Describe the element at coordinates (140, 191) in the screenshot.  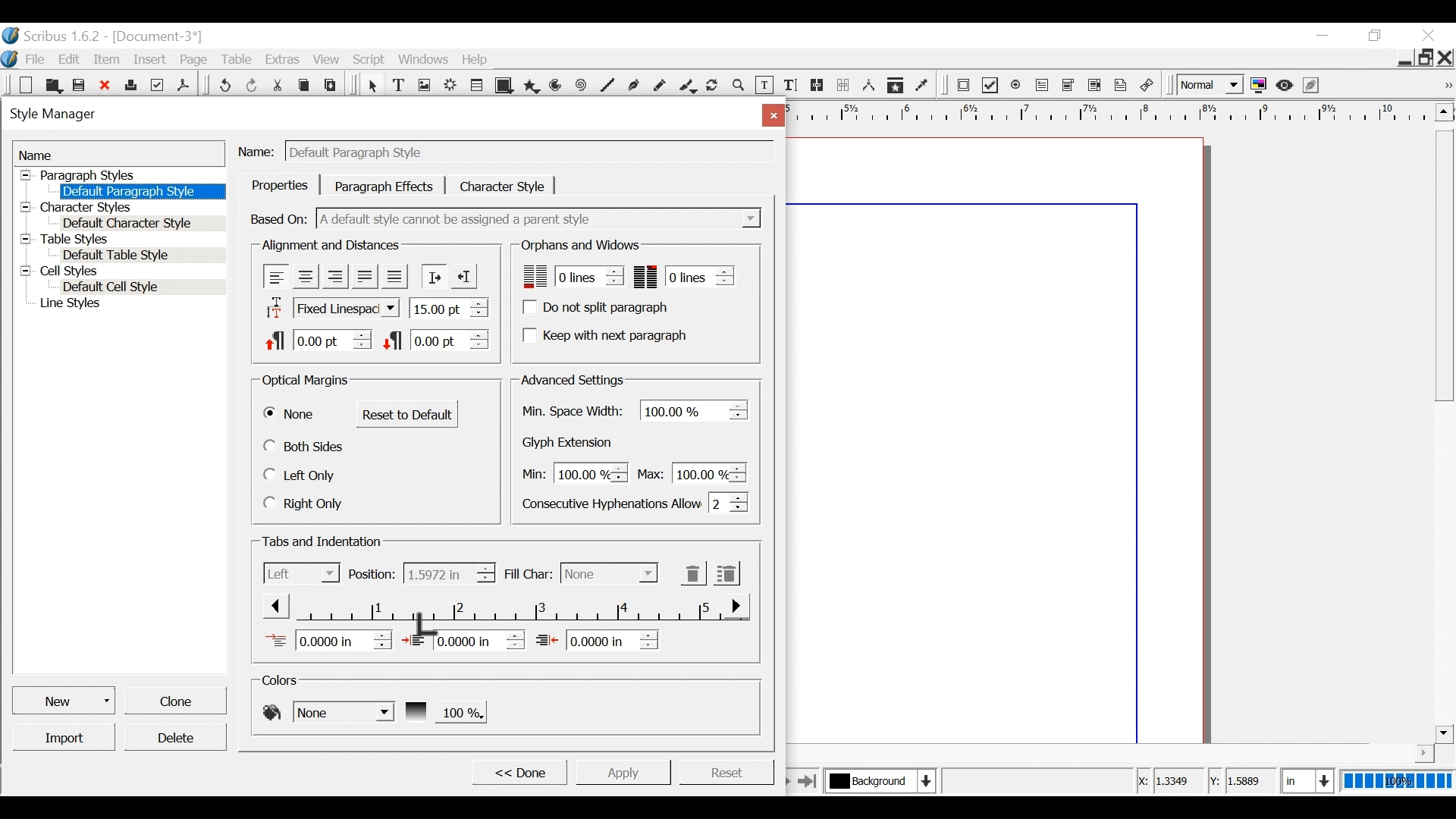
I see `Default Paragraph` at that location.